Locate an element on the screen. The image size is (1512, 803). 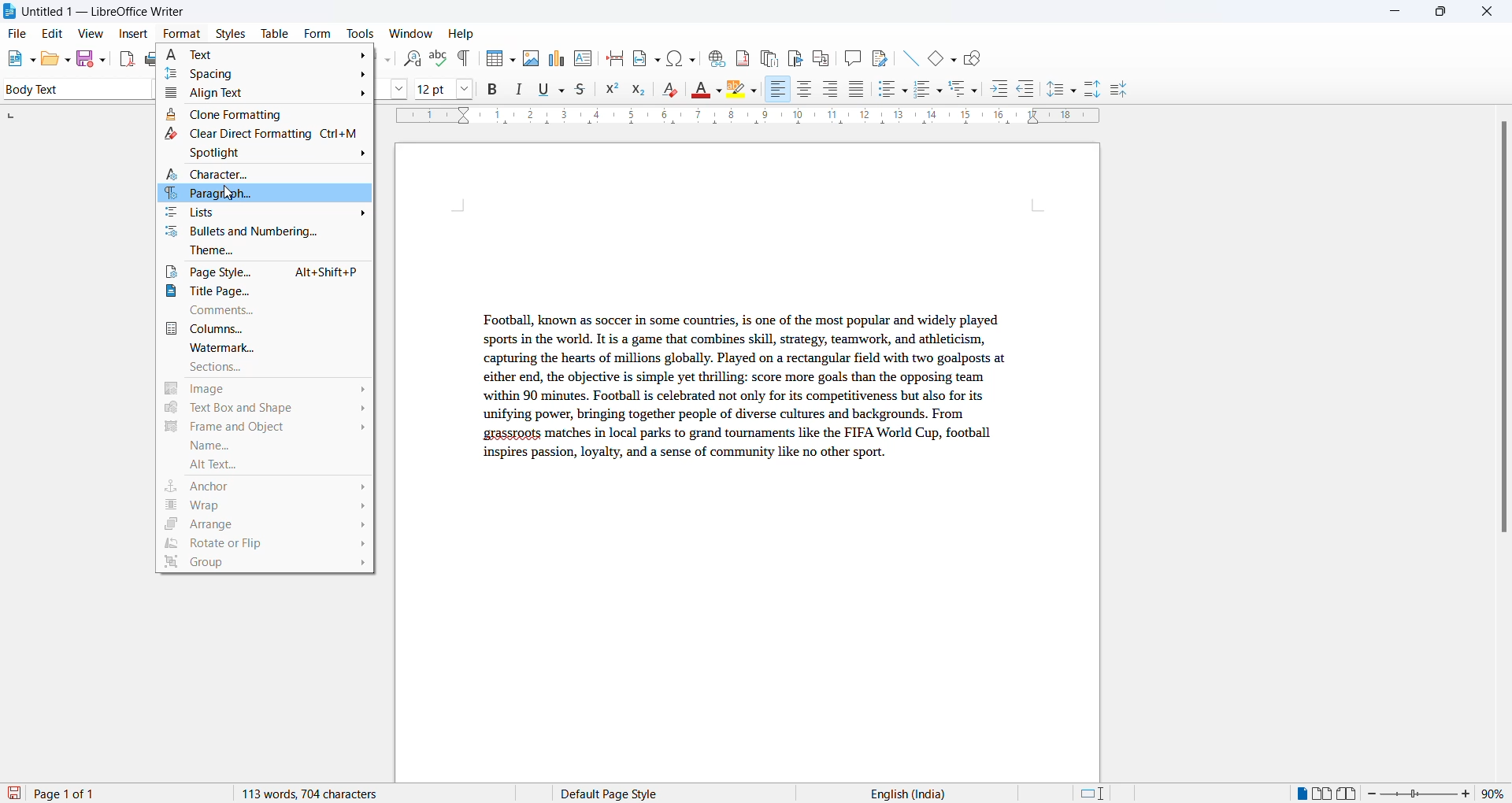
insert special character is located at coordinates (680, 56).